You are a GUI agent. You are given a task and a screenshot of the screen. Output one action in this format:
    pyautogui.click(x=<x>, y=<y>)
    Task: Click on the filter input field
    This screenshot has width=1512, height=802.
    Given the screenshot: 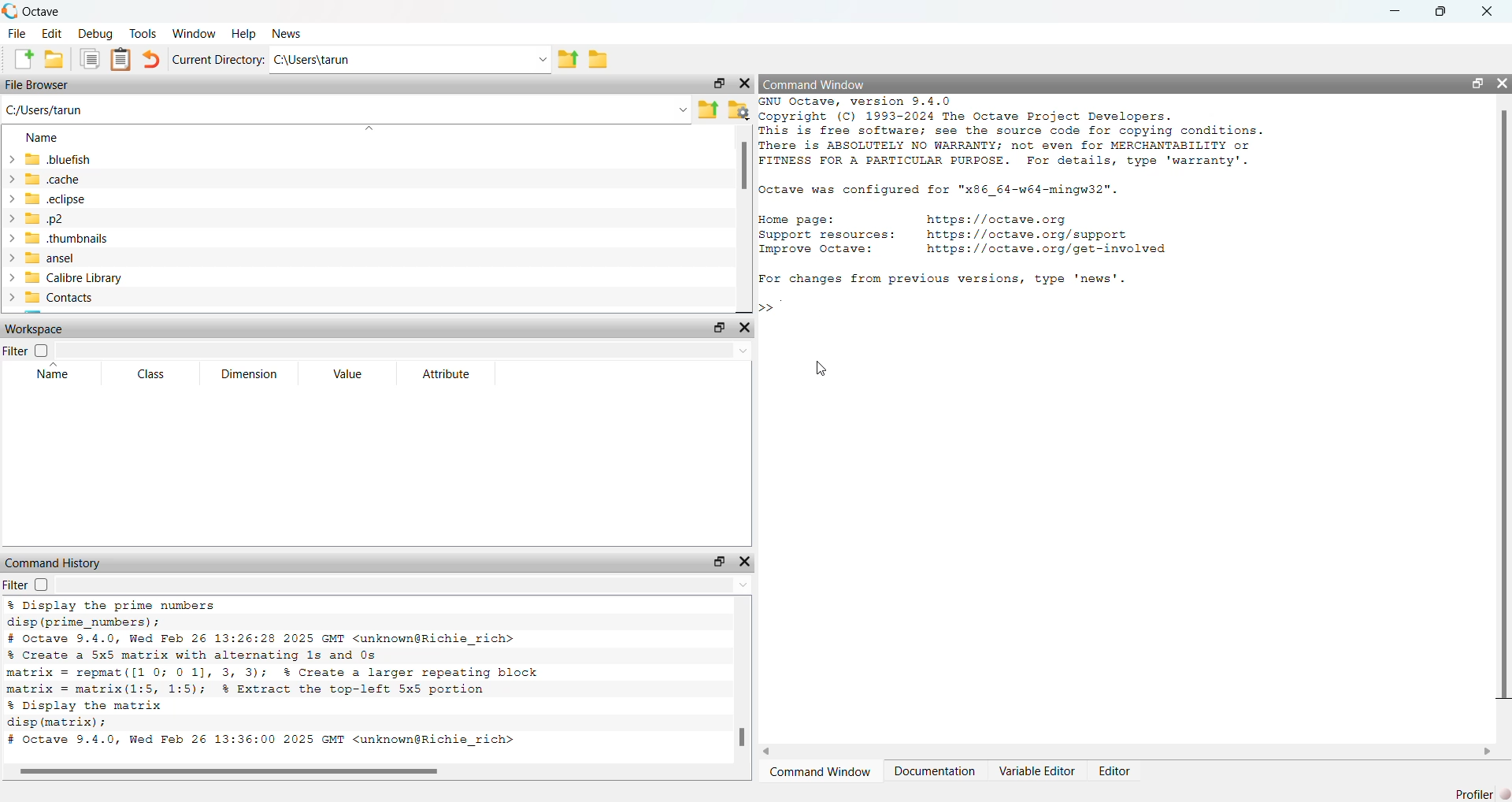 What is the action you would take?
    pyautogui.click(x=409, y=351)
    